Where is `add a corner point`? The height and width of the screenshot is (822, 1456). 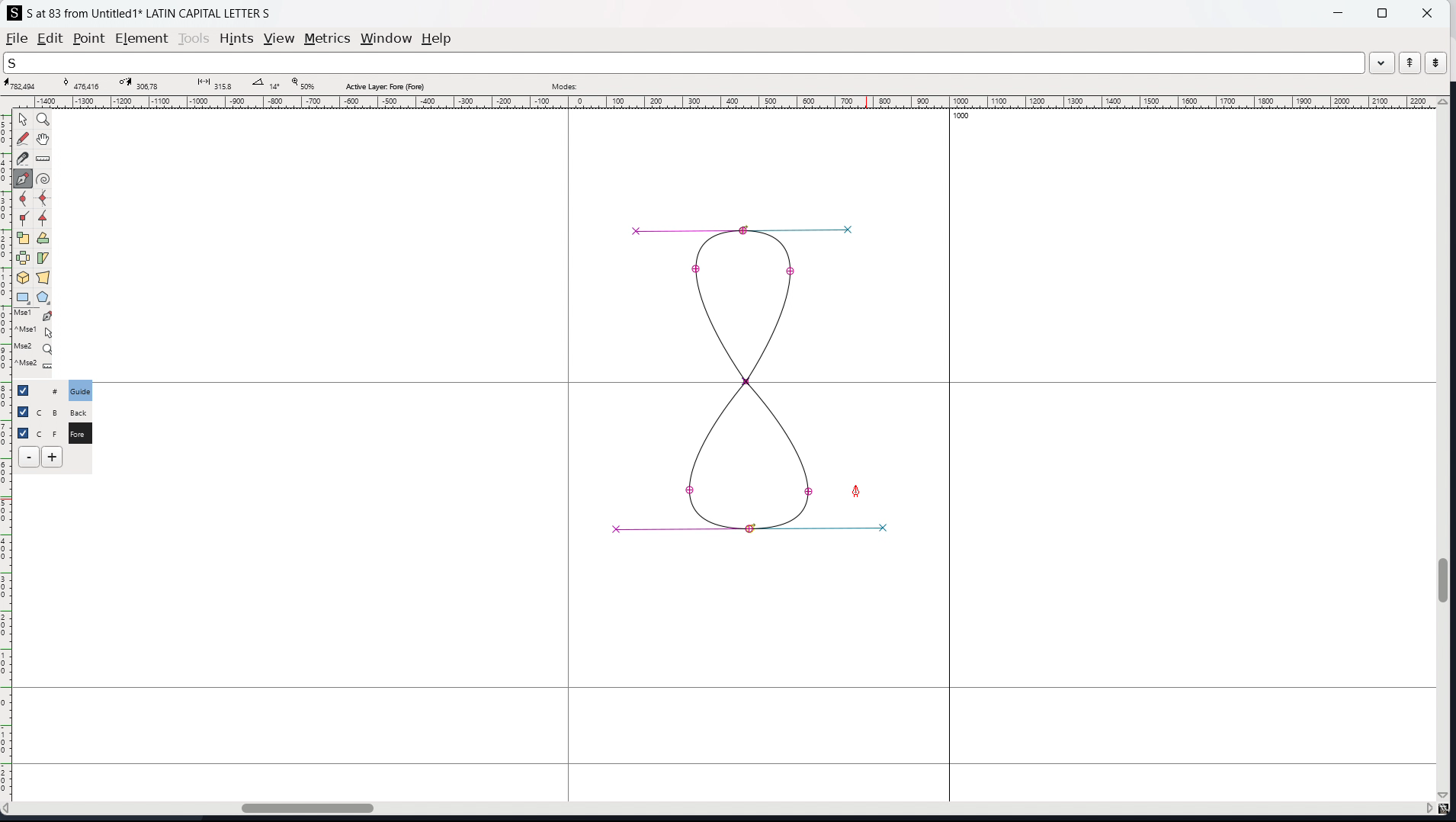
add a corner point is located at coordinates (24, 220).